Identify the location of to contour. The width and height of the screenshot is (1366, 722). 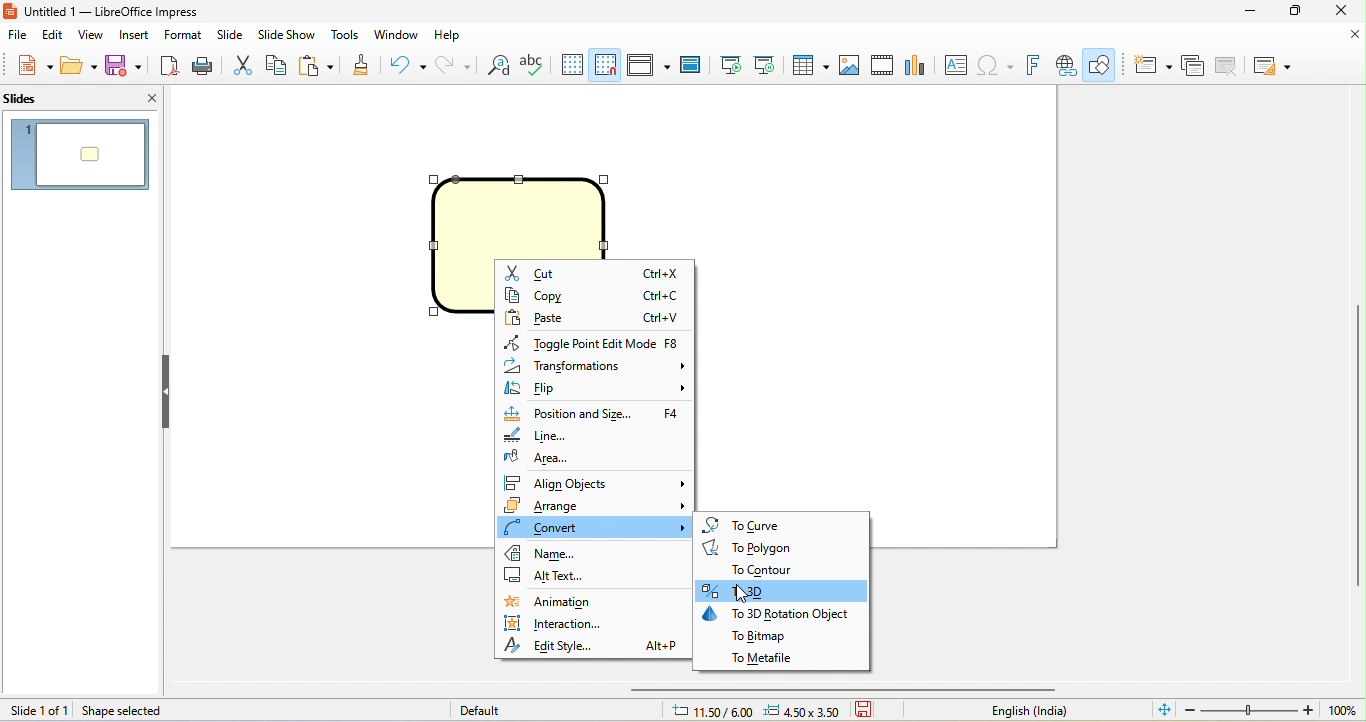
(751, 572).